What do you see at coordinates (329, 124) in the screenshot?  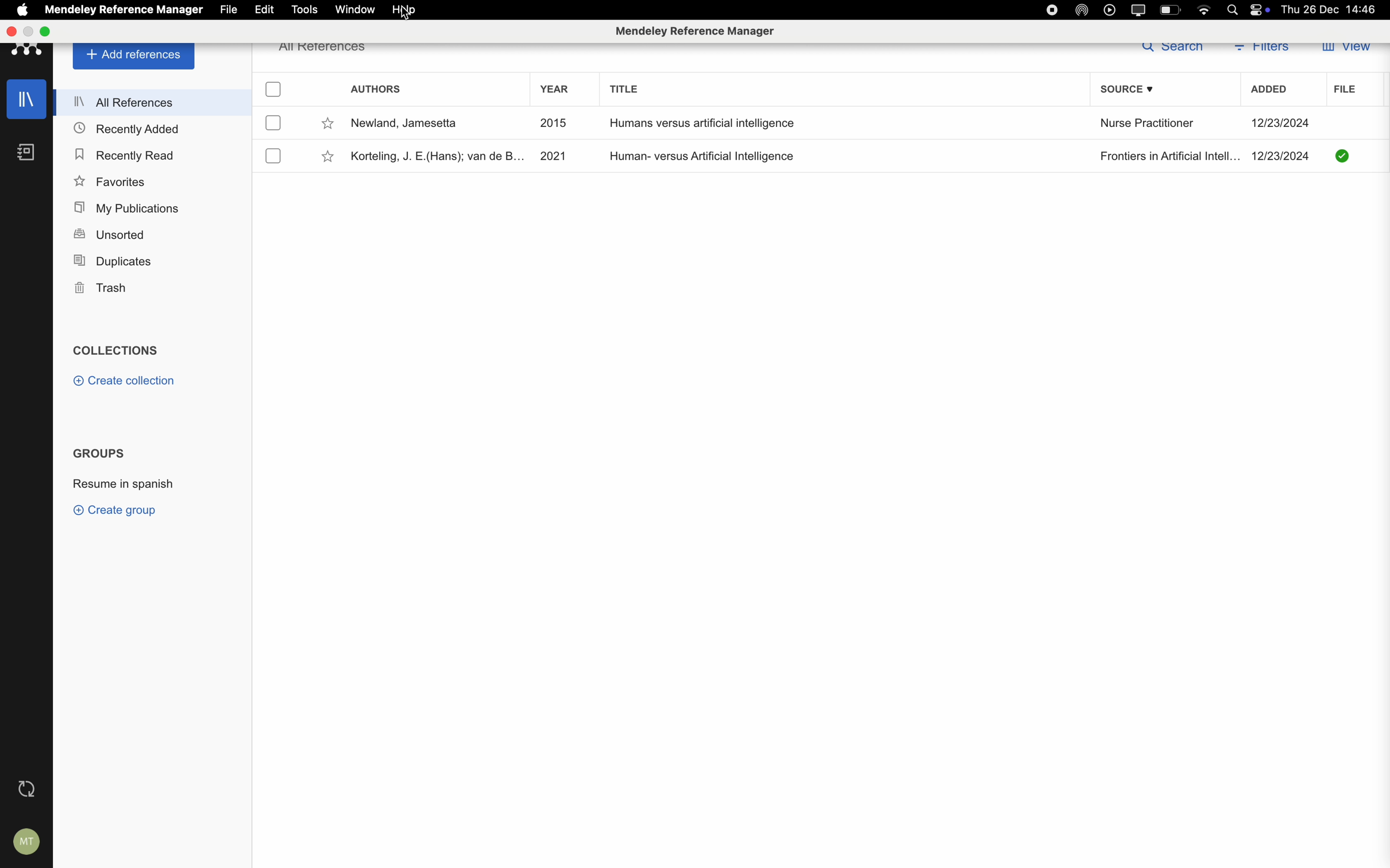 I see `favorite` at bounding box center [329, 124].